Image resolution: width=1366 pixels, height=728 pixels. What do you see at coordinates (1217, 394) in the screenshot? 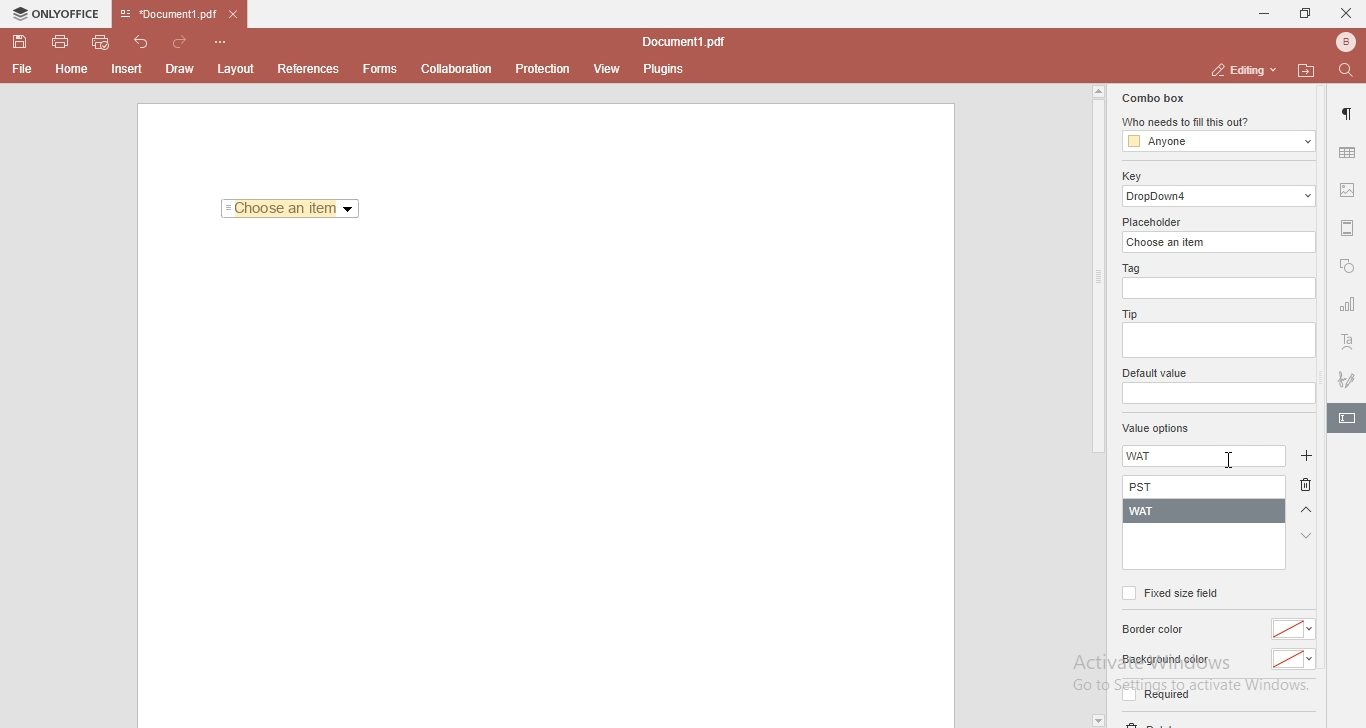
I see `empty box` at bounding box center [1217, 394].